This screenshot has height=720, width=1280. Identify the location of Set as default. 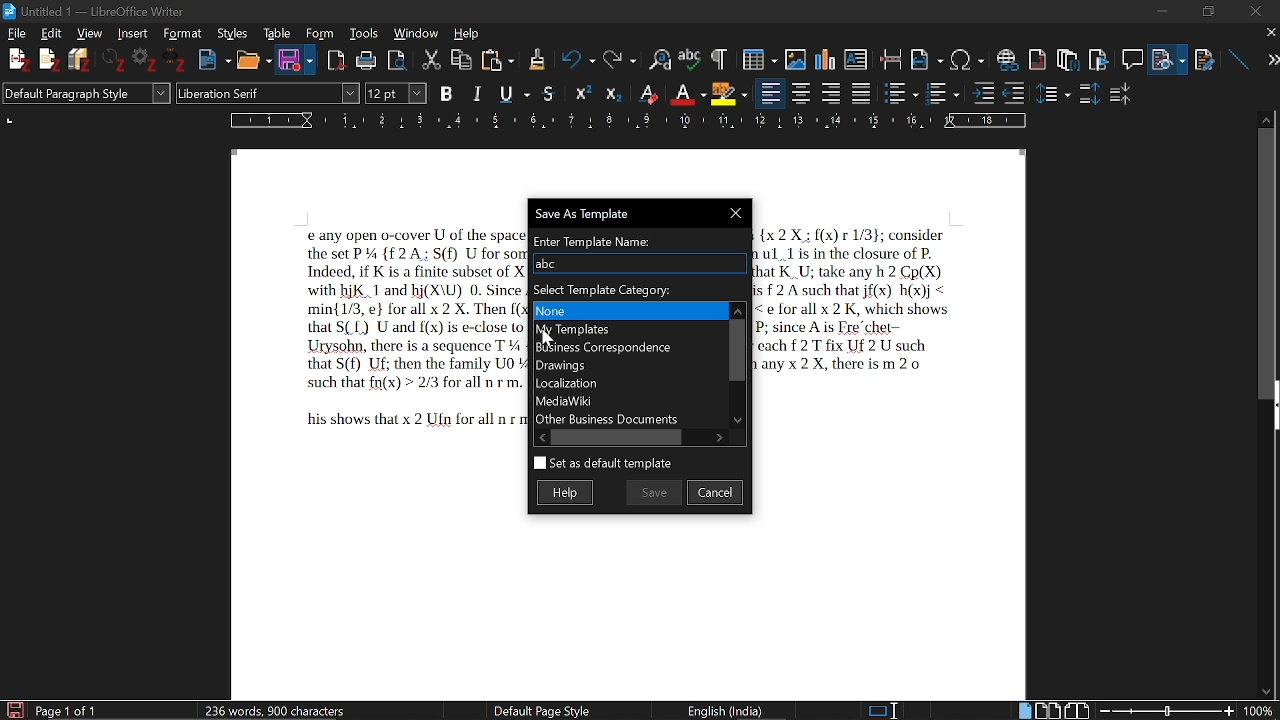
(602, 464).